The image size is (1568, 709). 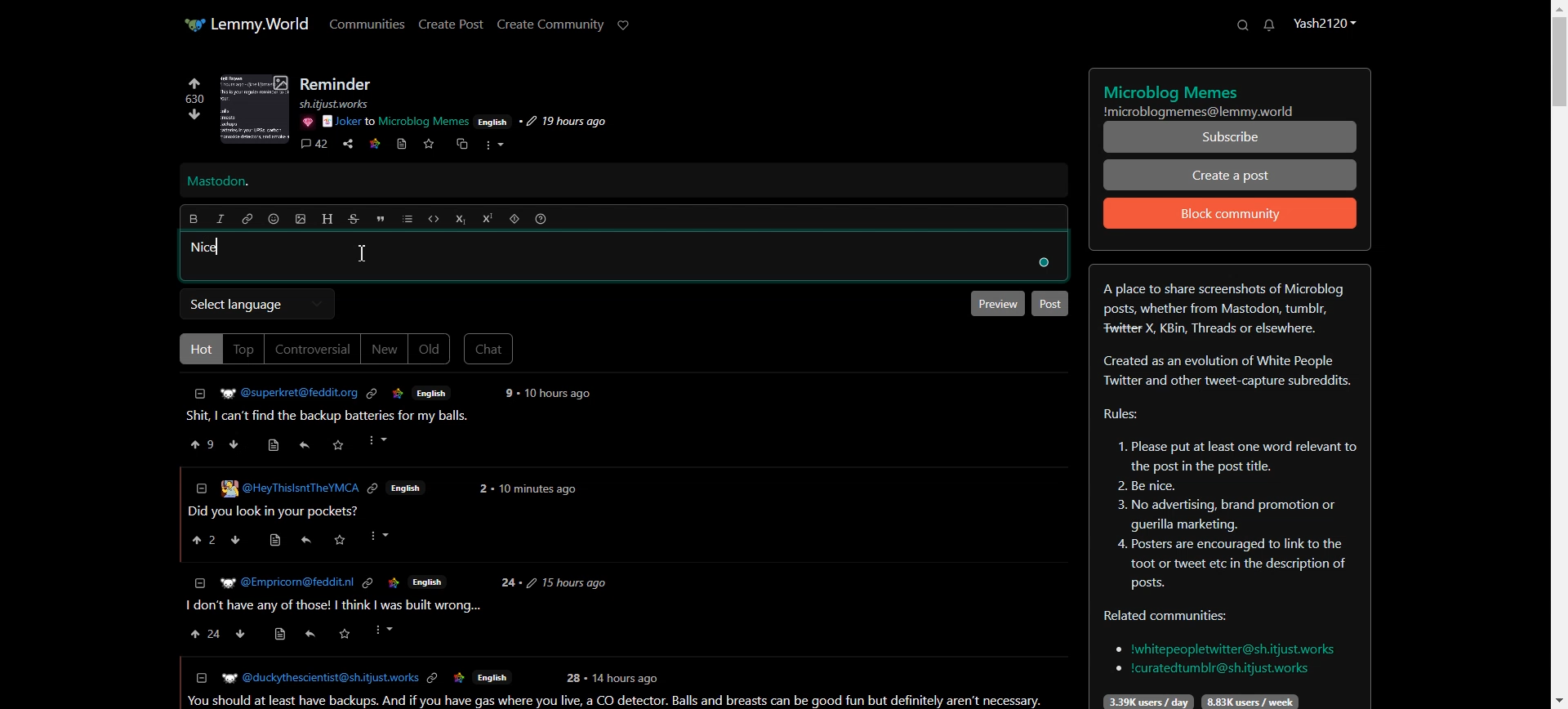 I want to click on Subscribe, so click(x=1231, y=137).